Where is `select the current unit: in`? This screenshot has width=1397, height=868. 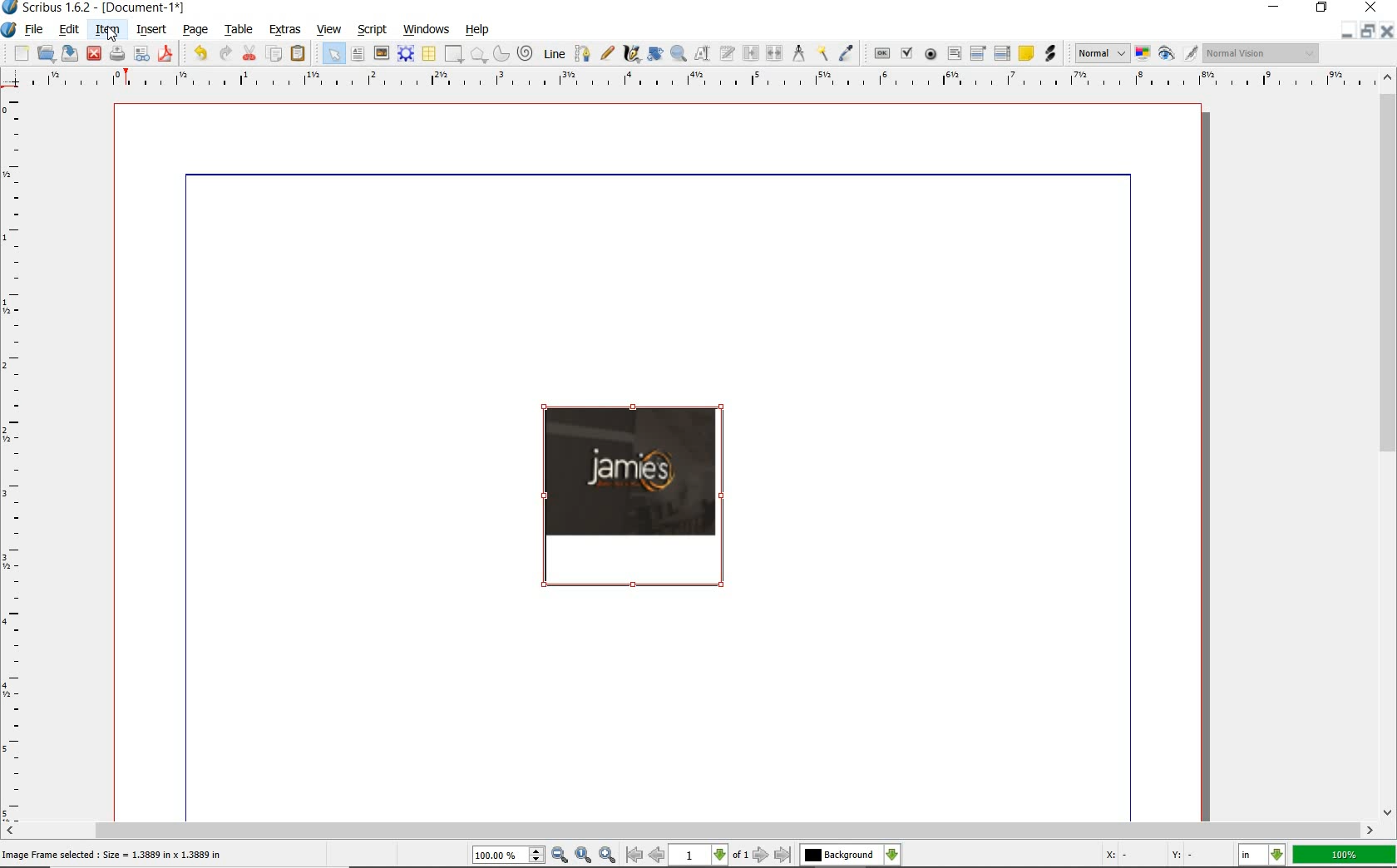 select the current unit: in is located at coordinates (1261, 853).